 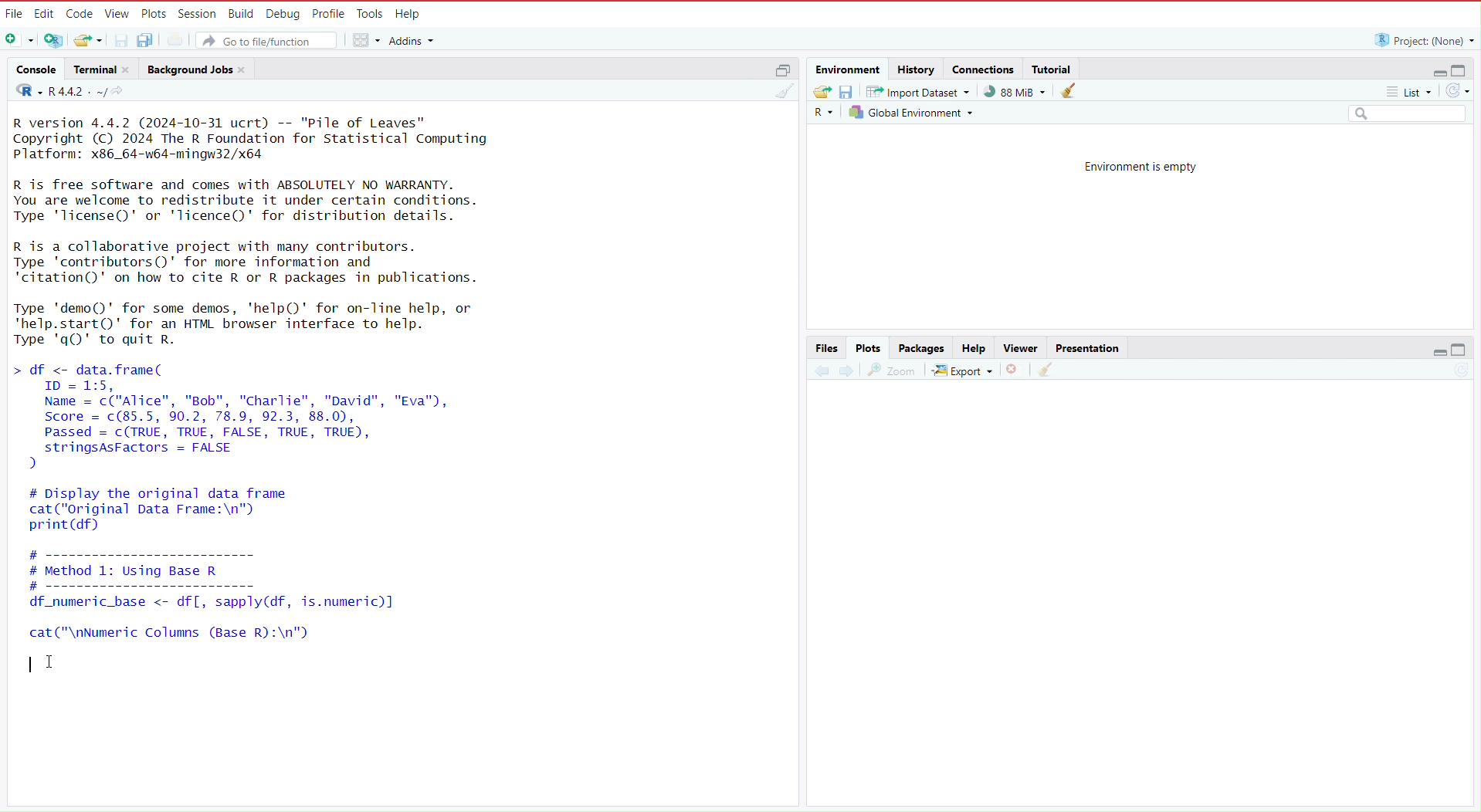 I want to click on Packages, so click(x=920, y=347).